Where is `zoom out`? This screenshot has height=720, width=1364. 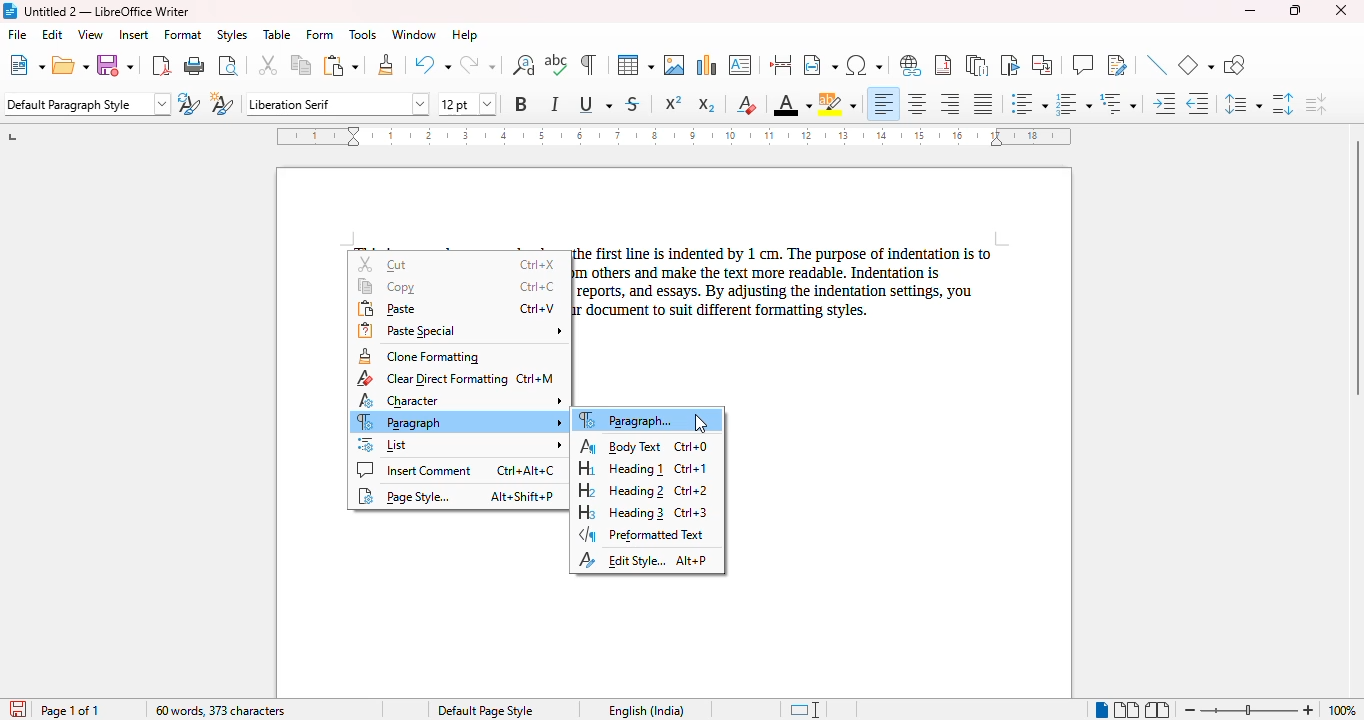 zoom out is located at coordinates (1190, 710).